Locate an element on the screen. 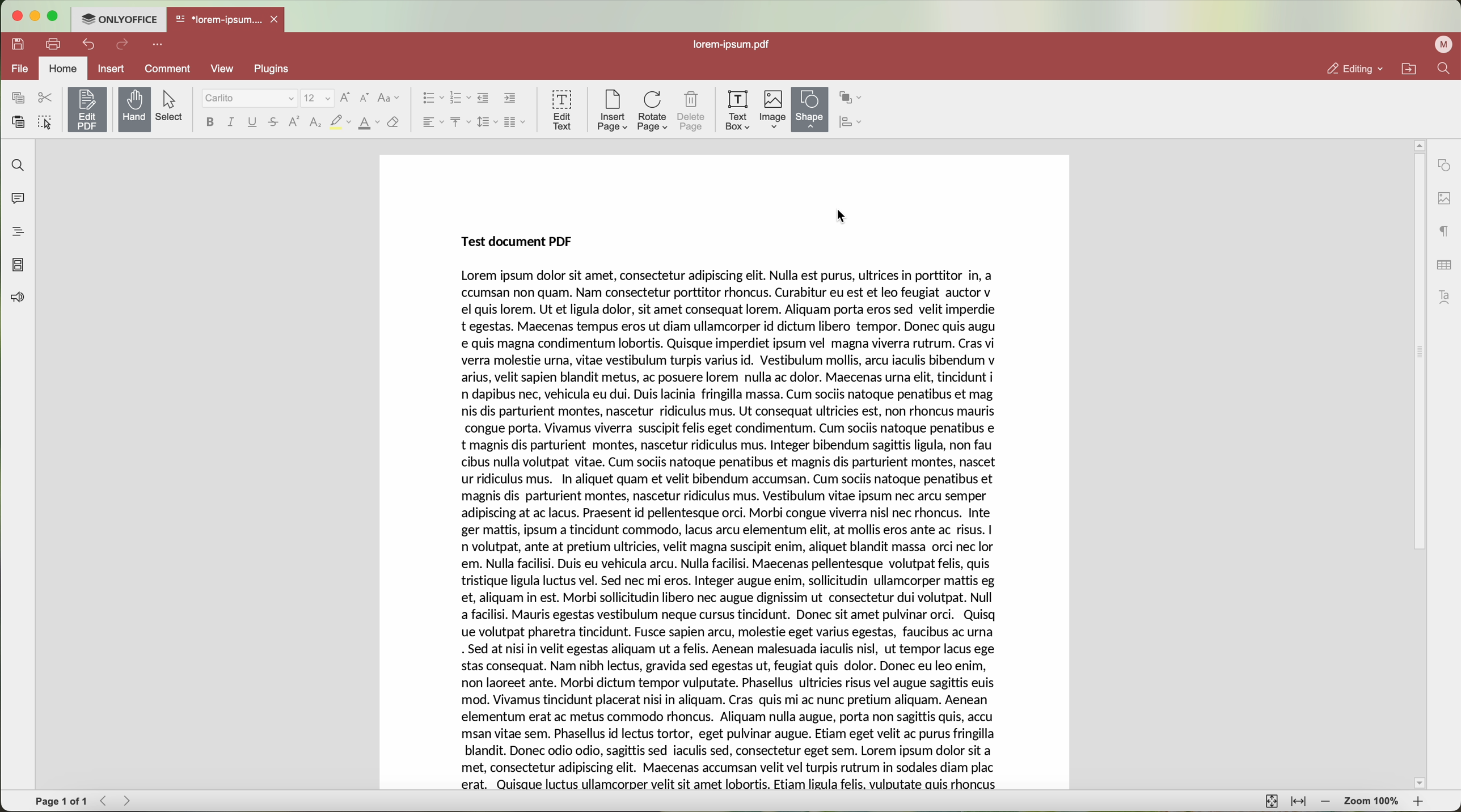 This screenshot has width=1461, height=812. zoom in is located at coordinates (1418, 802).